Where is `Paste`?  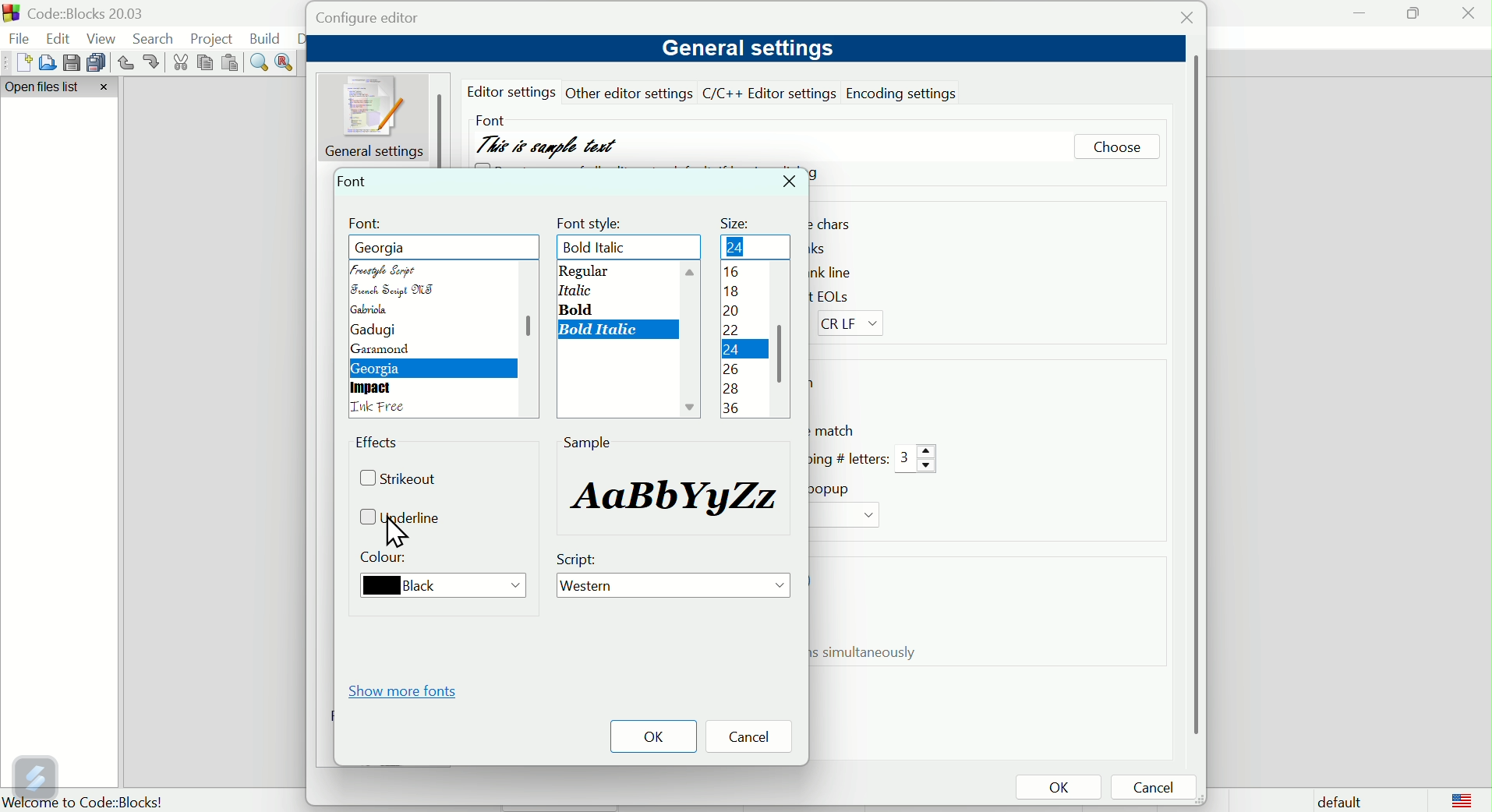
Paste is located at coordinates (232, 63).